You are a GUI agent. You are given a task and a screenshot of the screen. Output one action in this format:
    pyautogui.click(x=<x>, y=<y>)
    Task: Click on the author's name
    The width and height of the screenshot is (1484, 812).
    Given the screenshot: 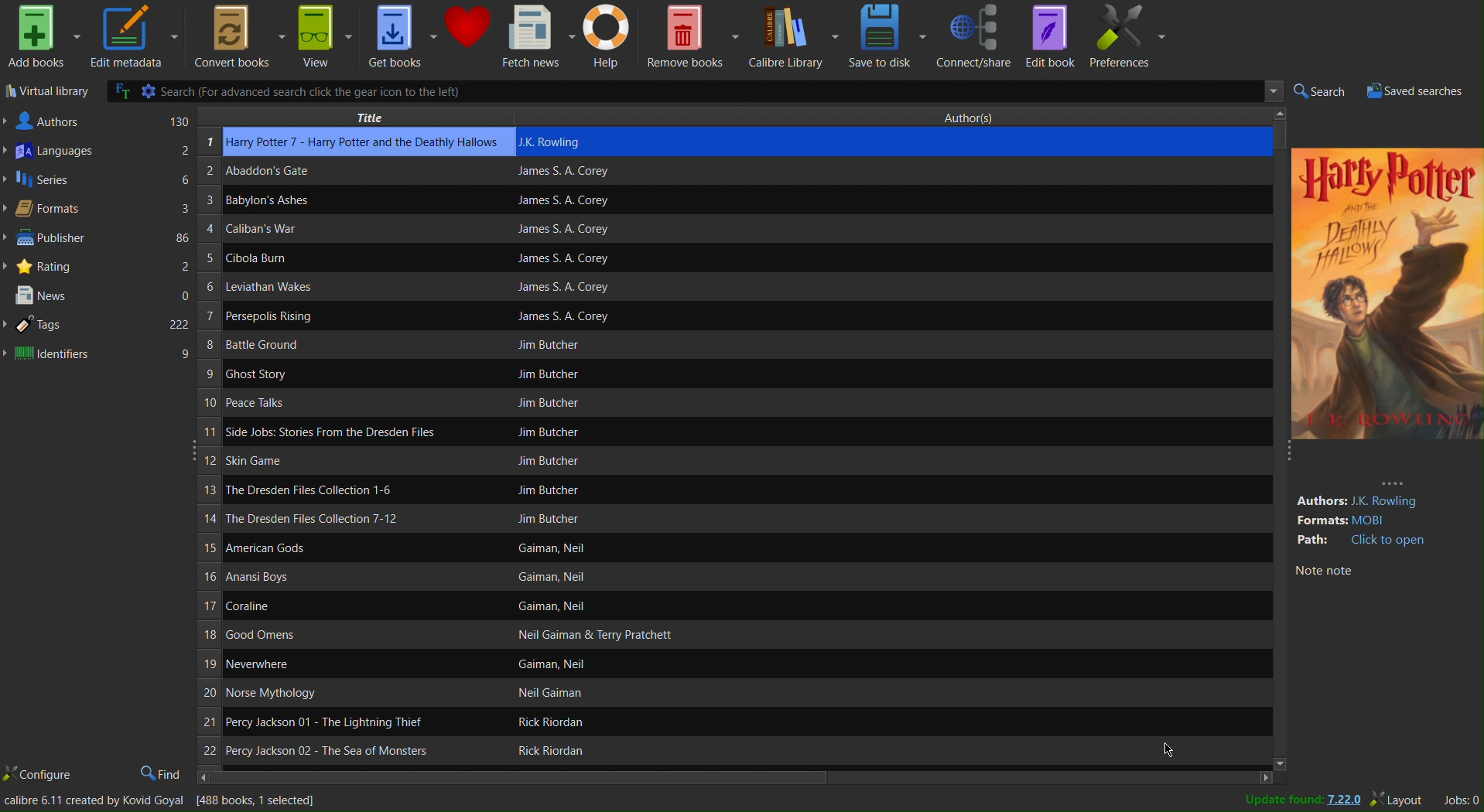 What is the action you would take?
    pyautogui.click(x=872, y=173)
    